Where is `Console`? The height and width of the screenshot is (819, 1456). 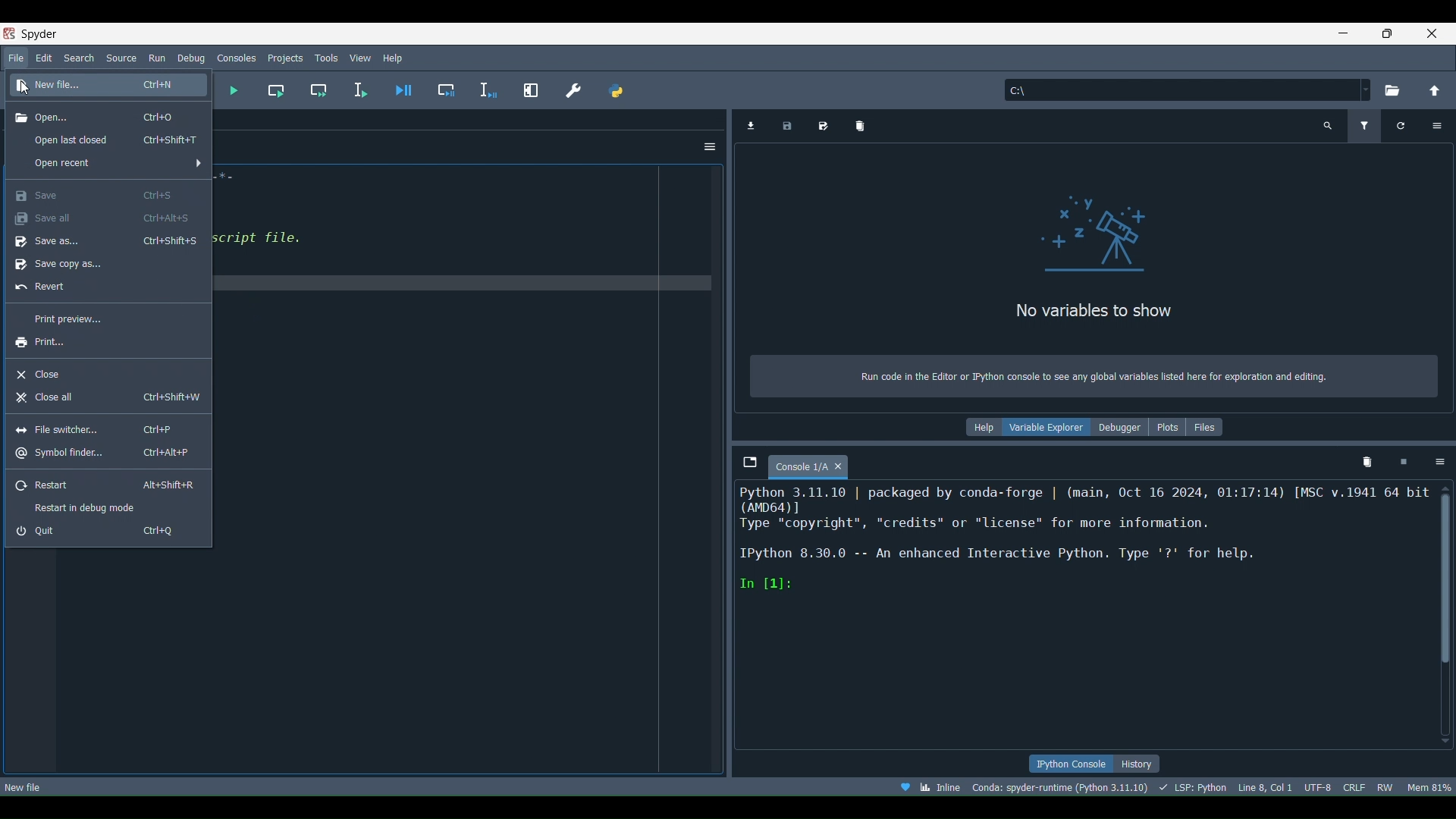 Console is located at coordinates (822, 467).